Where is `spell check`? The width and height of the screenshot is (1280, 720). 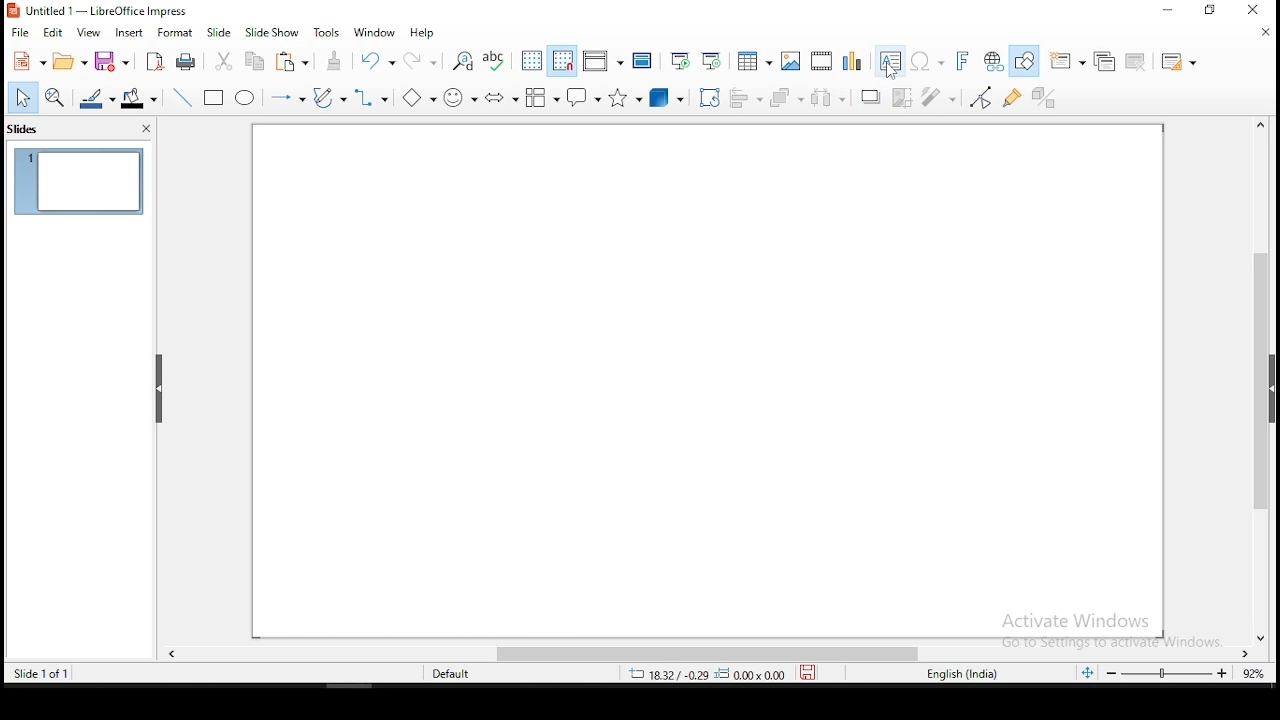 spell check is located at coordinates (495, 61).